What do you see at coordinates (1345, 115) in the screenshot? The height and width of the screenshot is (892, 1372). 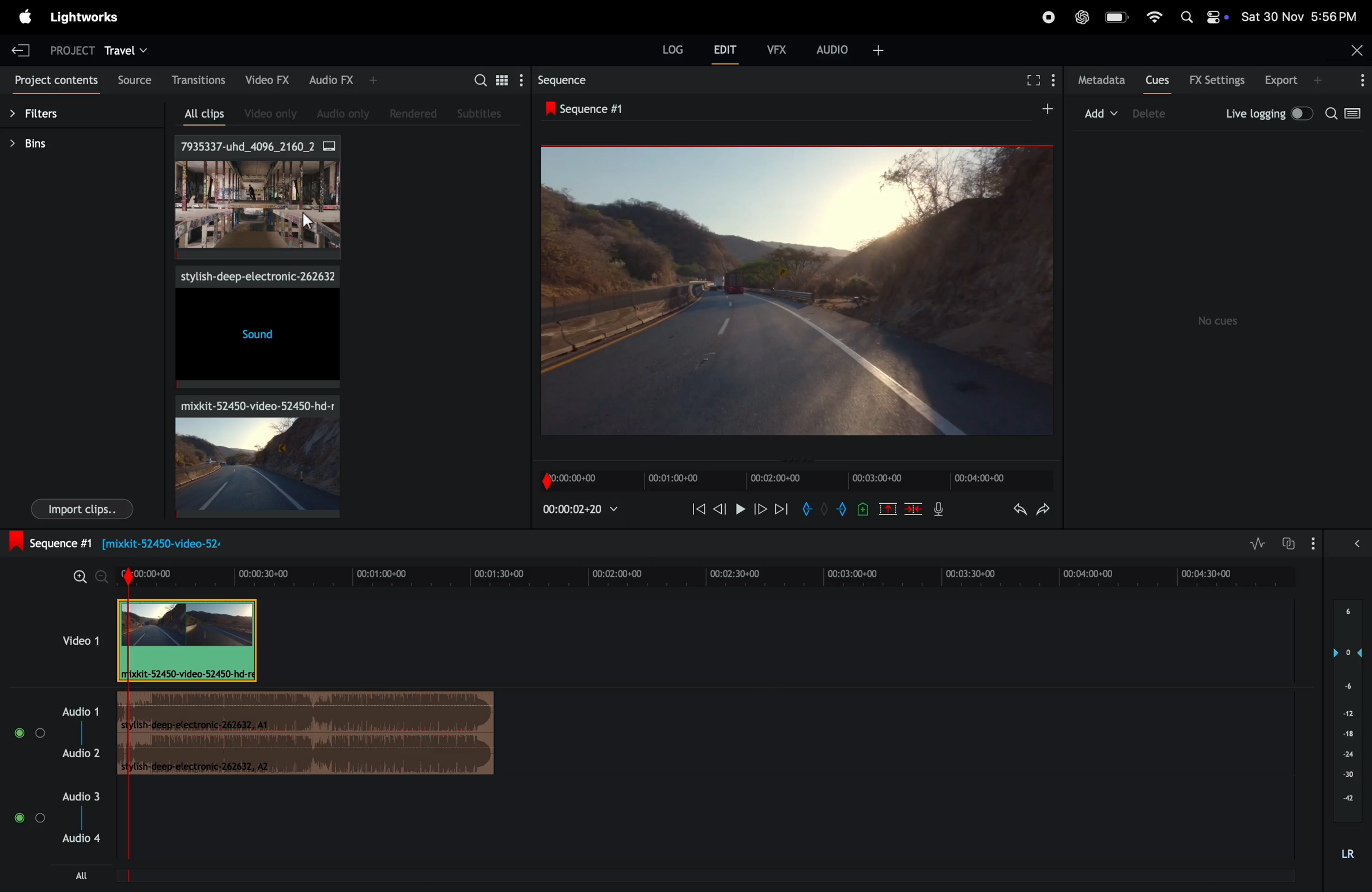 I see `search` at bounding box center [1345, 115].